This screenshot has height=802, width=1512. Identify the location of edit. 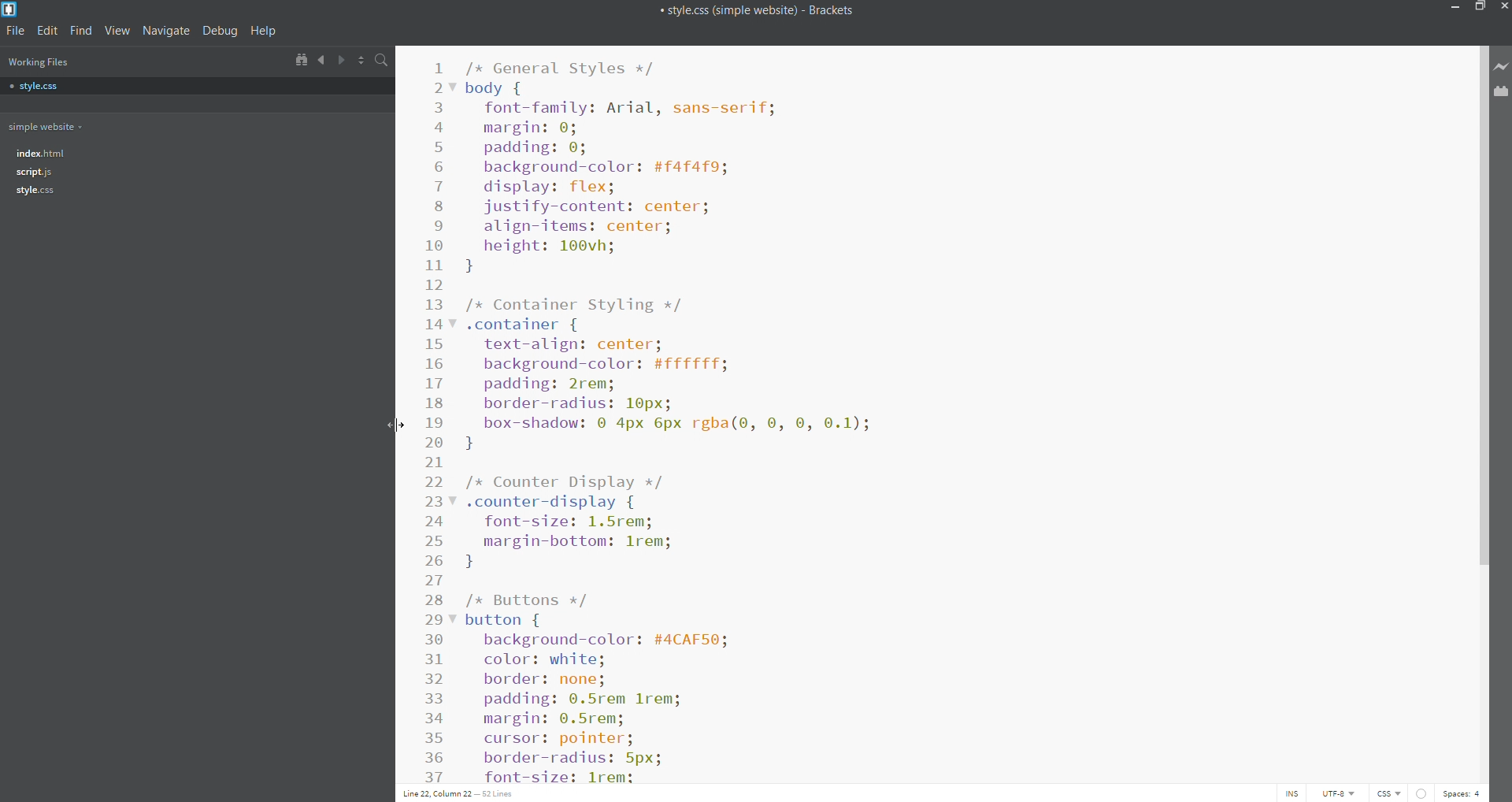
(48, 31).